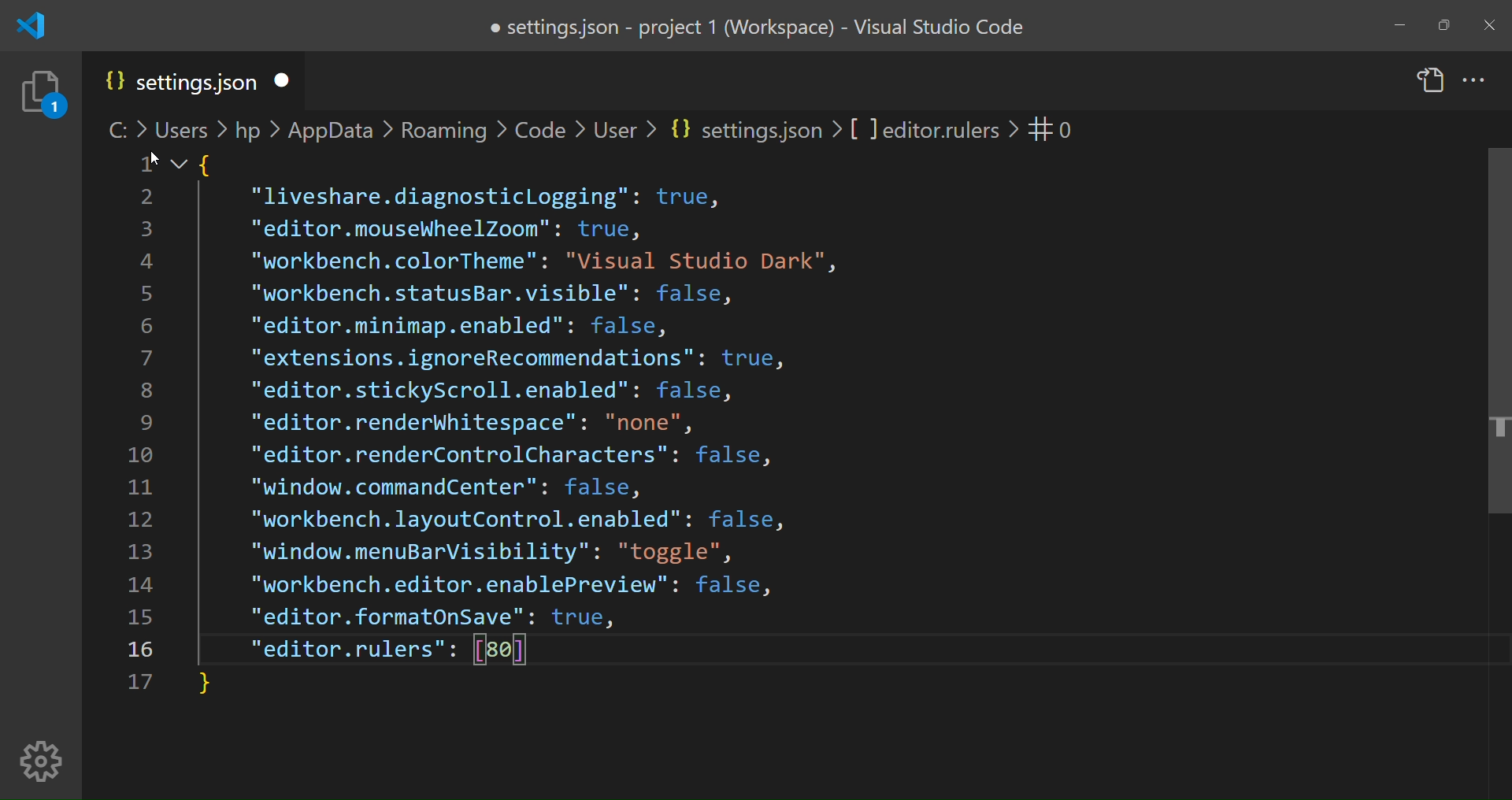 This screenshot has width=1512, height=800. What do you see at coordinates (178, 83) in the screenshot?
I see `setting file` at bounding box center [178, 83].